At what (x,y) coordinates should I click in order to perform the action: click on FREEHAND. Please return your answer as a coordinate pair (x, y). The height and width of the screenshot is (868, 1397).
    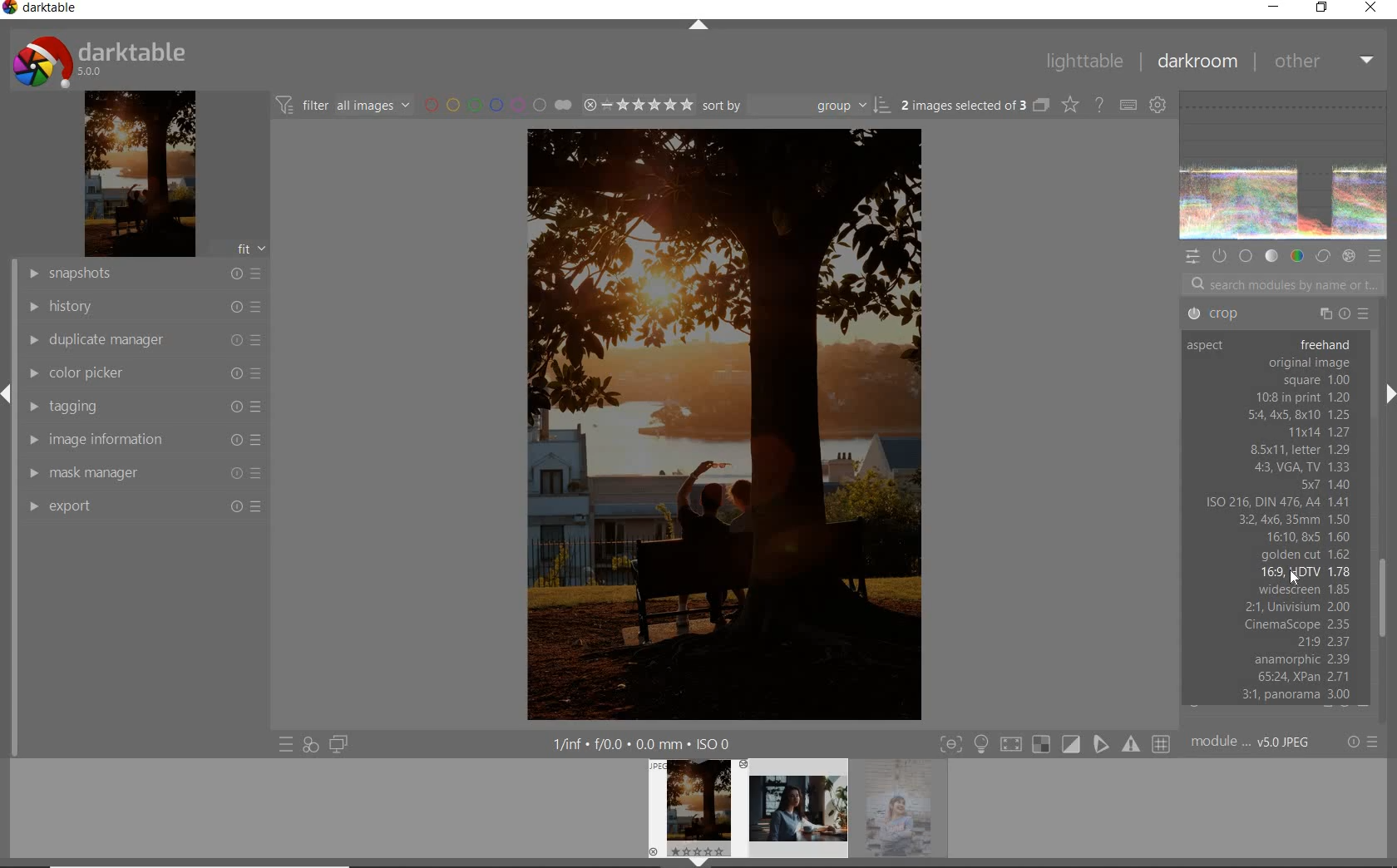
    Looking at the image, I should click on (1325, 343).